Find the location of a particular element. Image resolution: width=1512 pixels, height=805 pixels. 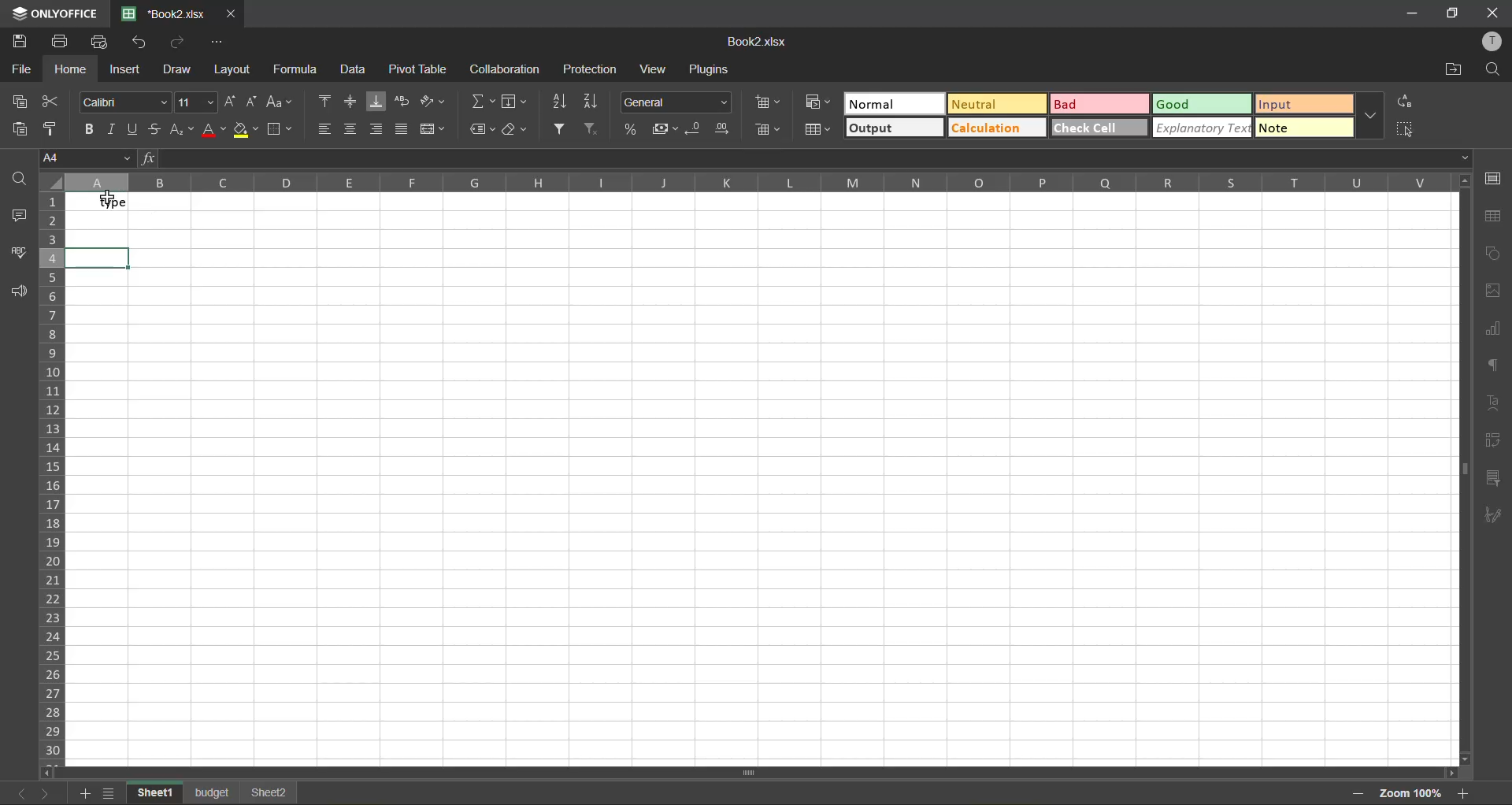

move down is located at coordinates (1459, 755).